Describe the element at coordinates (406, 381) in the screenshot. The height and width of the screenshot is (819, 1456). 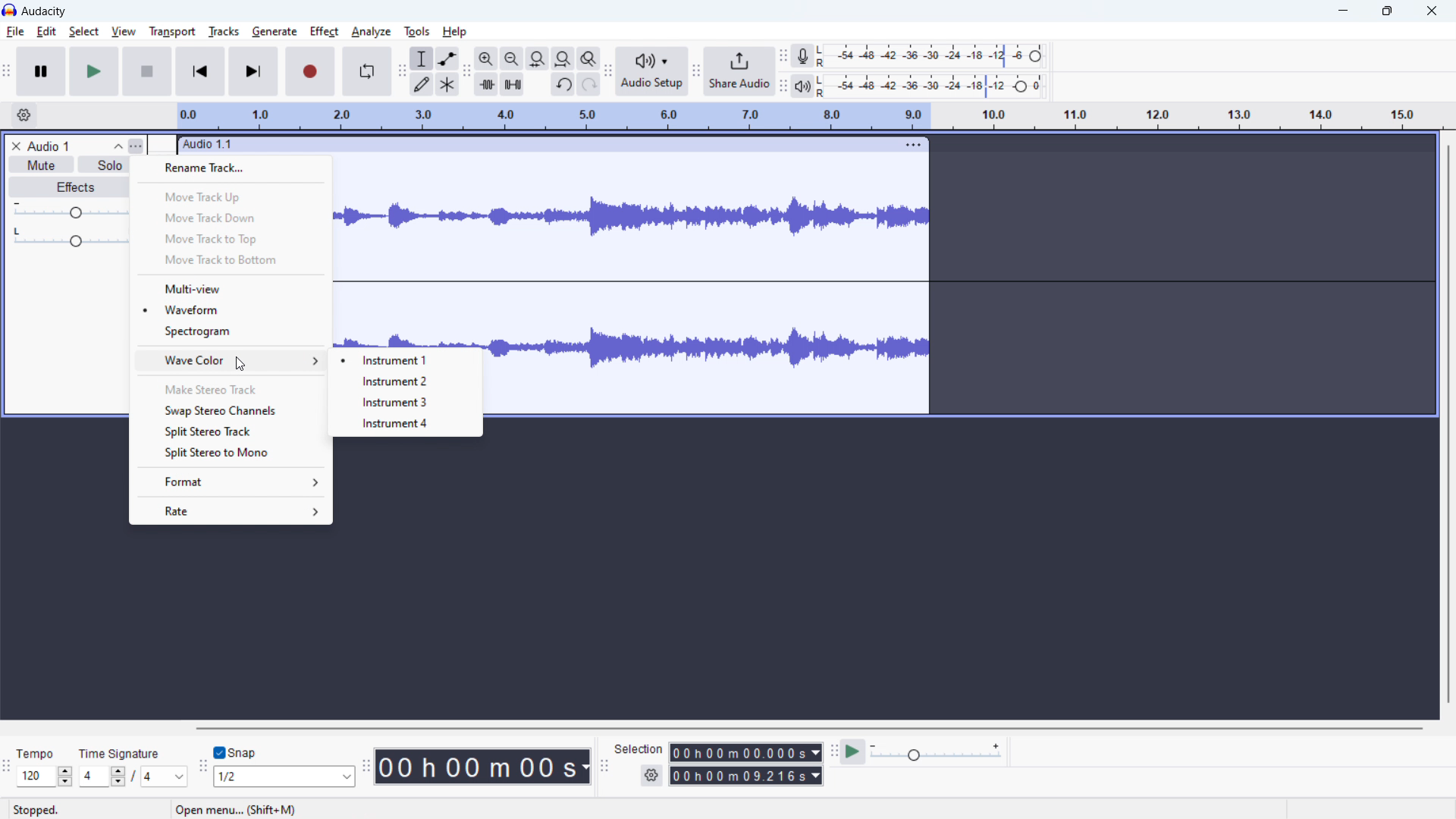
I see `instrument 2` at that location.